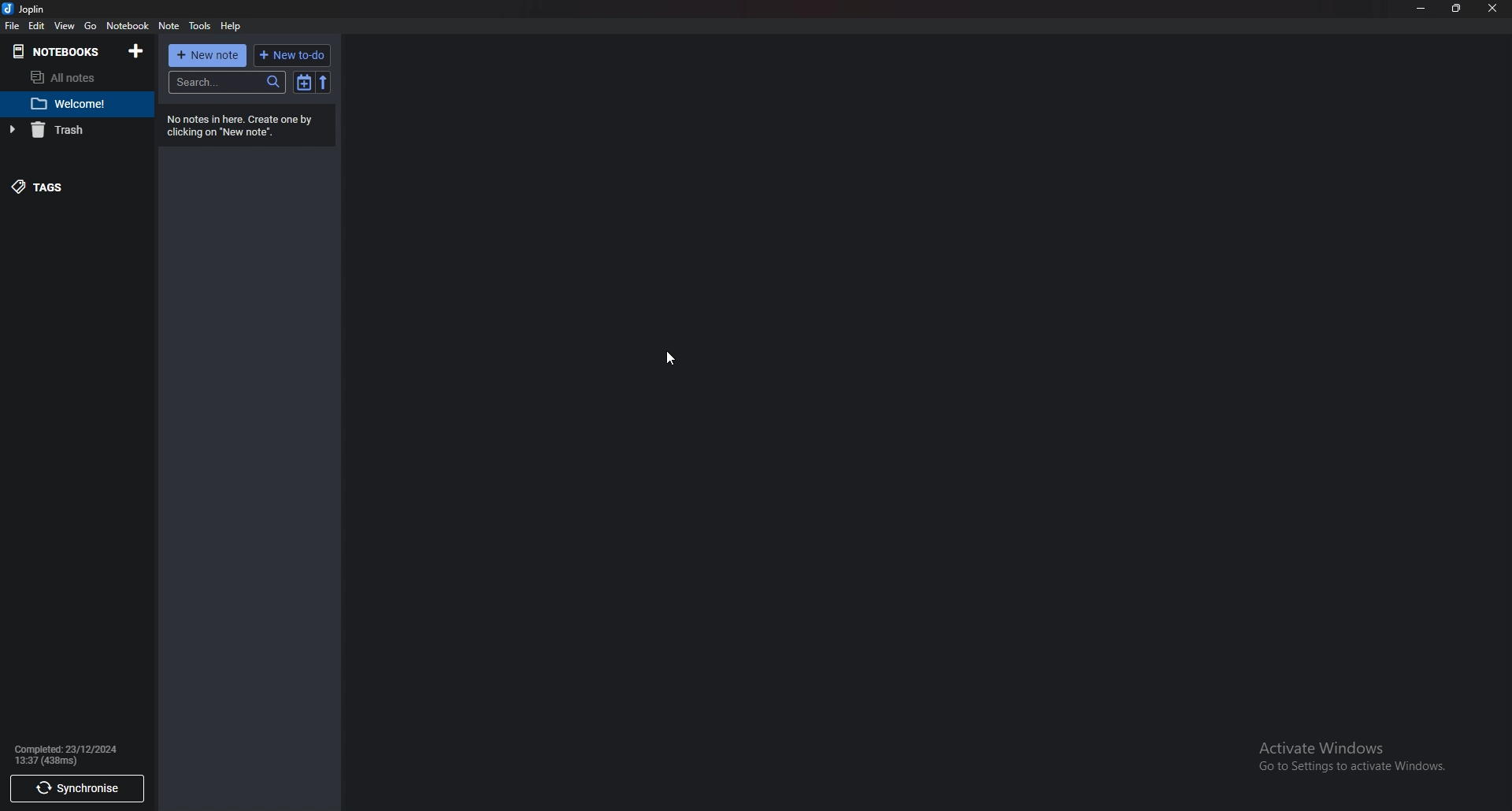 This screenshot has width=1512, height=811. What do you see at coordinates (228, 82) in the screenshot?
I see `search` at bounding box center [228, 82].